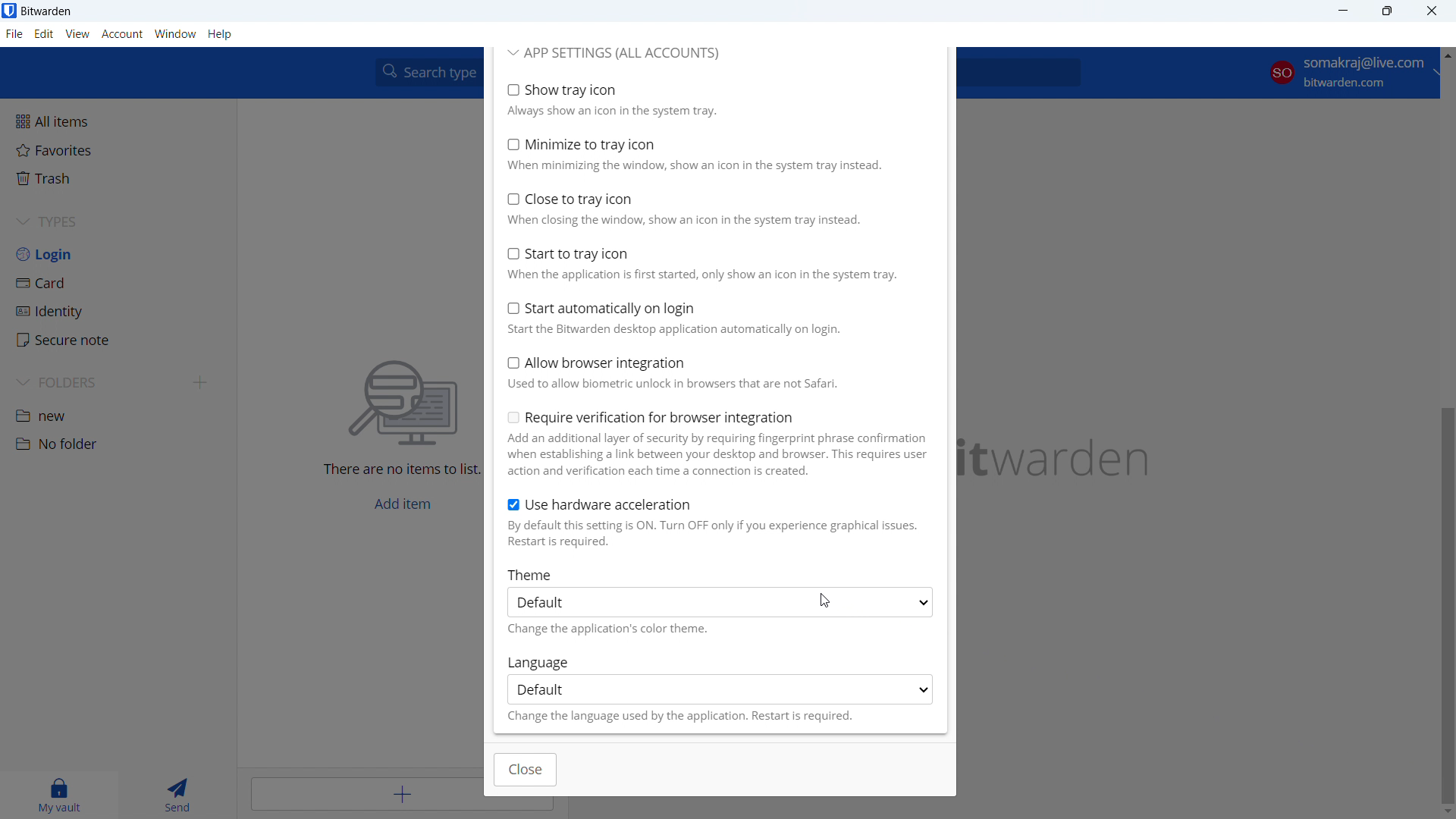 Image resolution: width=1456 pixels, height=819 pixels. I want to click on close, so click(1432, 11).